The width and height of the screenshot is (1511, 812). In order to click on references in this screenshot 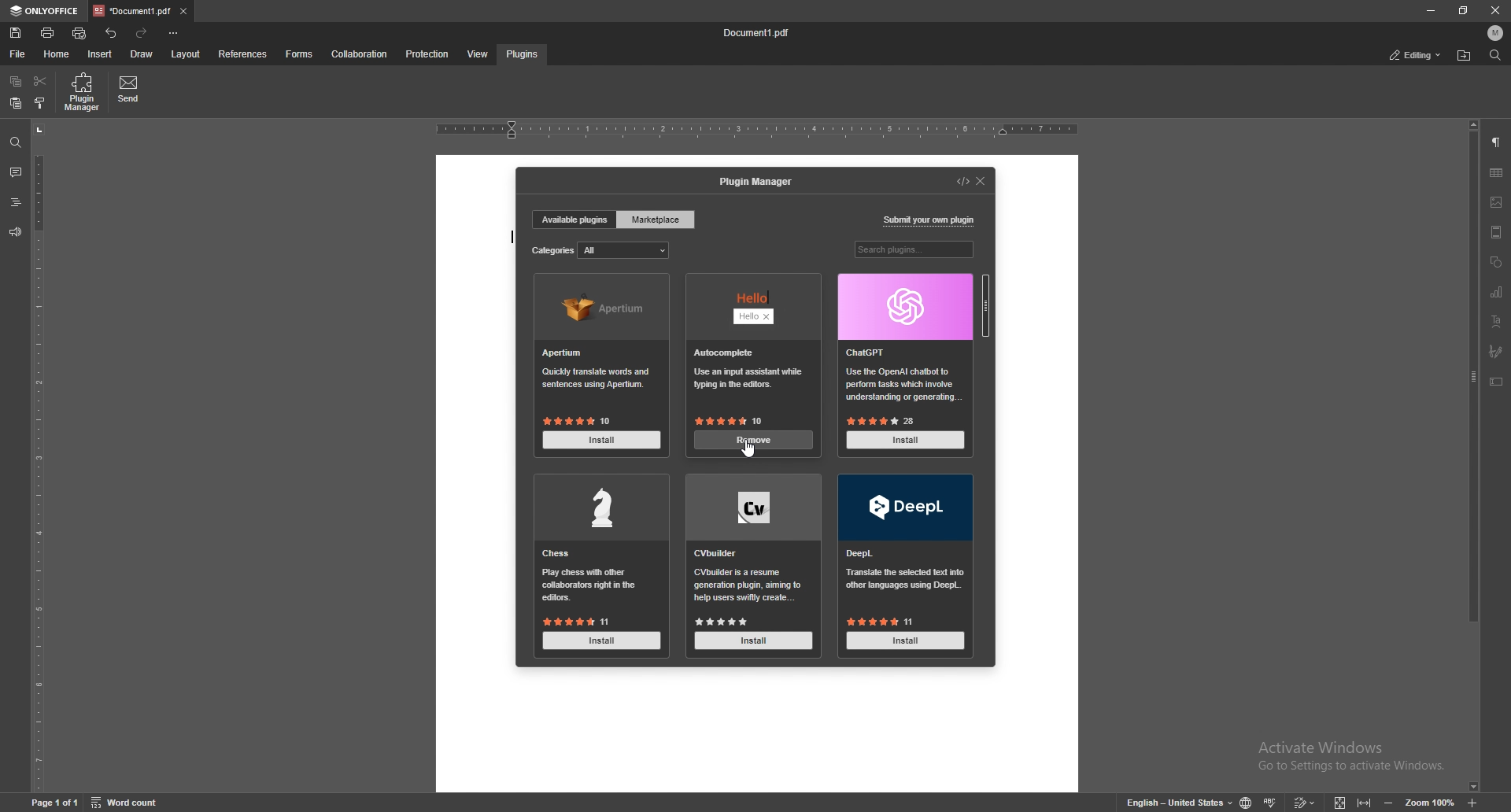, I will do `click(244, 54)`.